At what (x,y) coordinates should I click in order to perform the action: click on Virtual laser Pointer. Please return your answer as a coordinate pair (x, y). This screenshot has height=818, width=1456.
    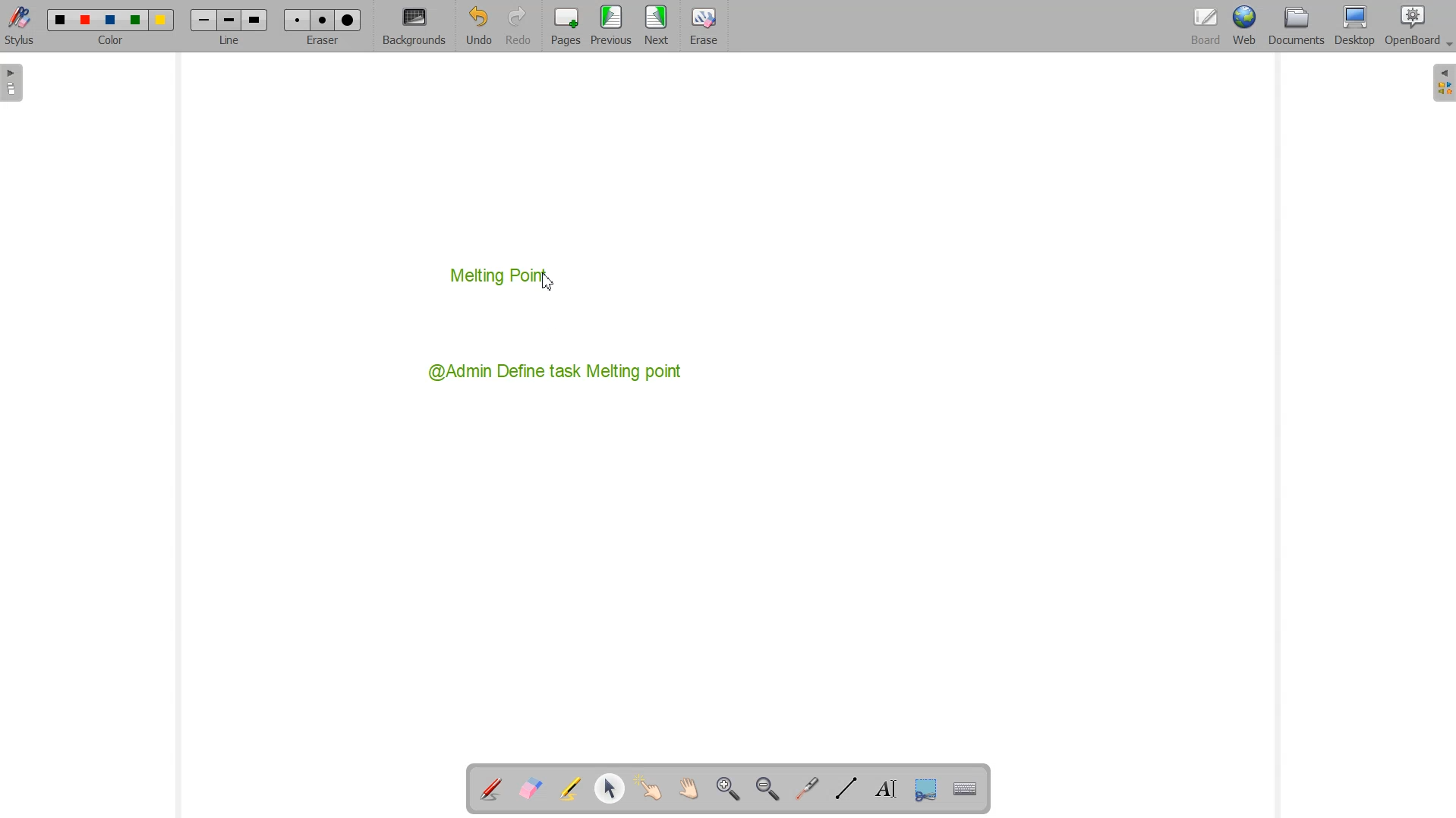
    Looking at the image, I should click on (807, 788).